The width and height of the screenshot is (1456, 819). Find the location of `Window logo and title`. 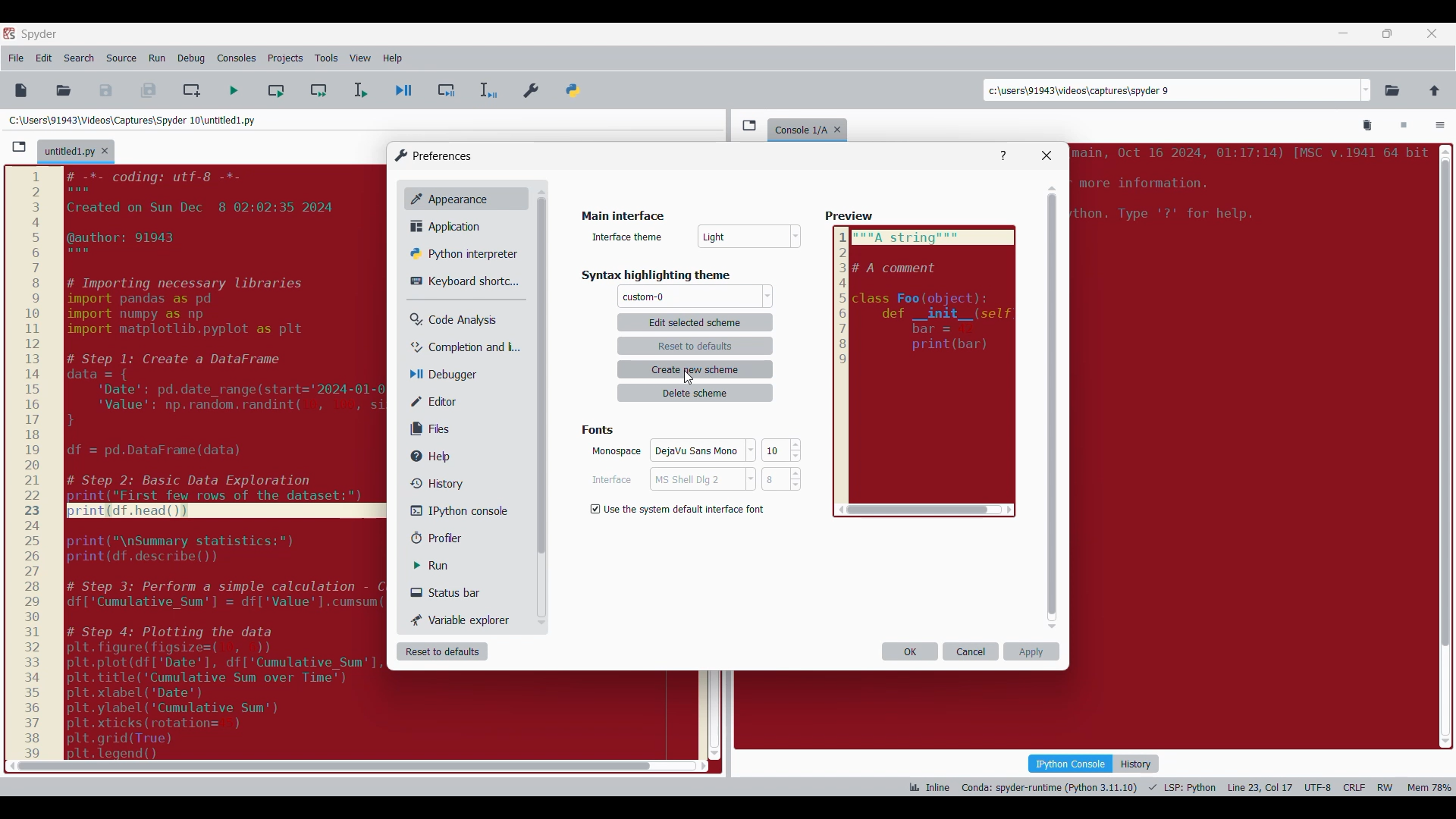

Window logo and title is located at coordinates (434, 155).